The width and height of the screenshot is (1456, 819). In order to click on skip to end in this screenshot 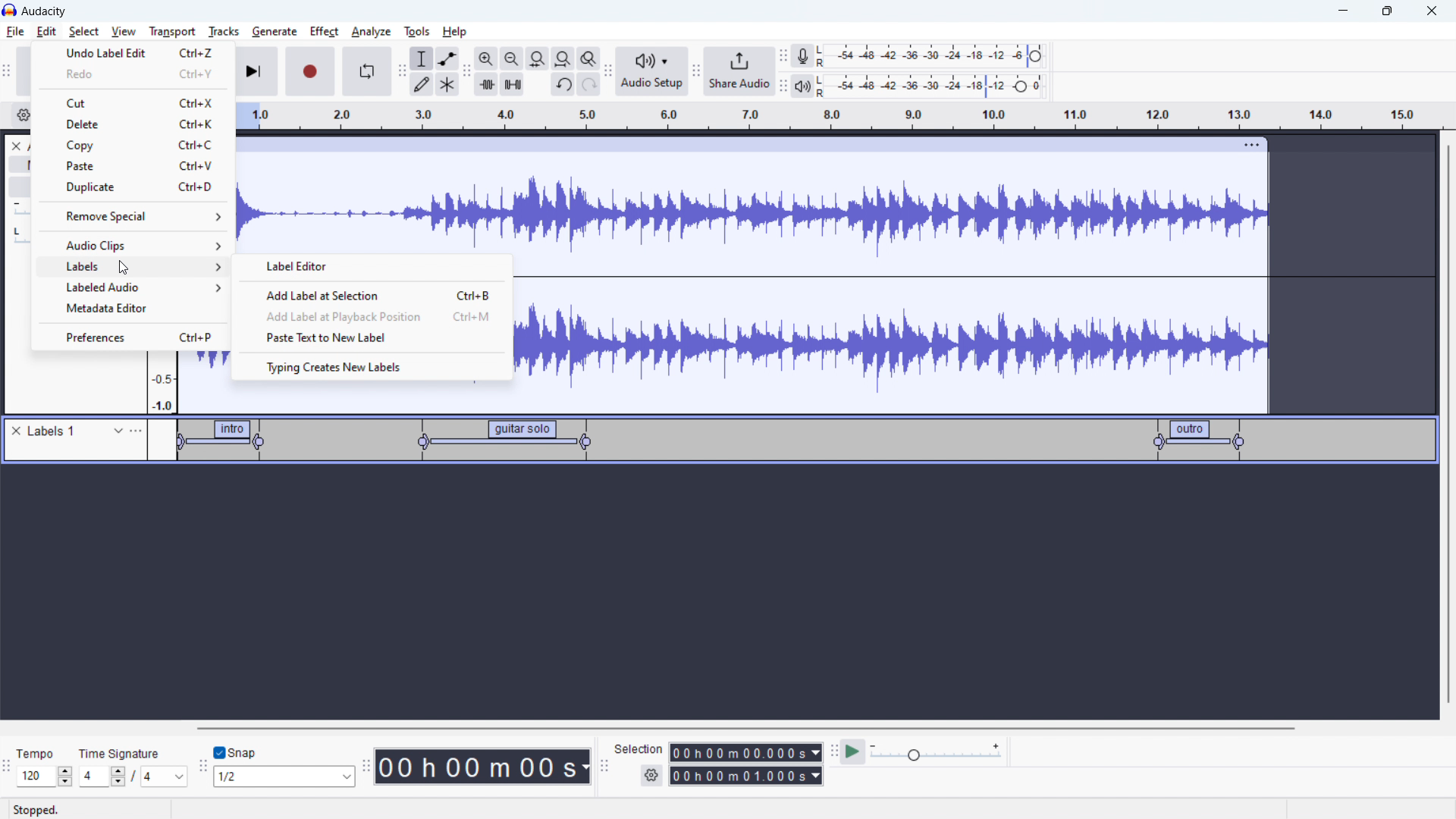, I will do `click(258, 71)`.